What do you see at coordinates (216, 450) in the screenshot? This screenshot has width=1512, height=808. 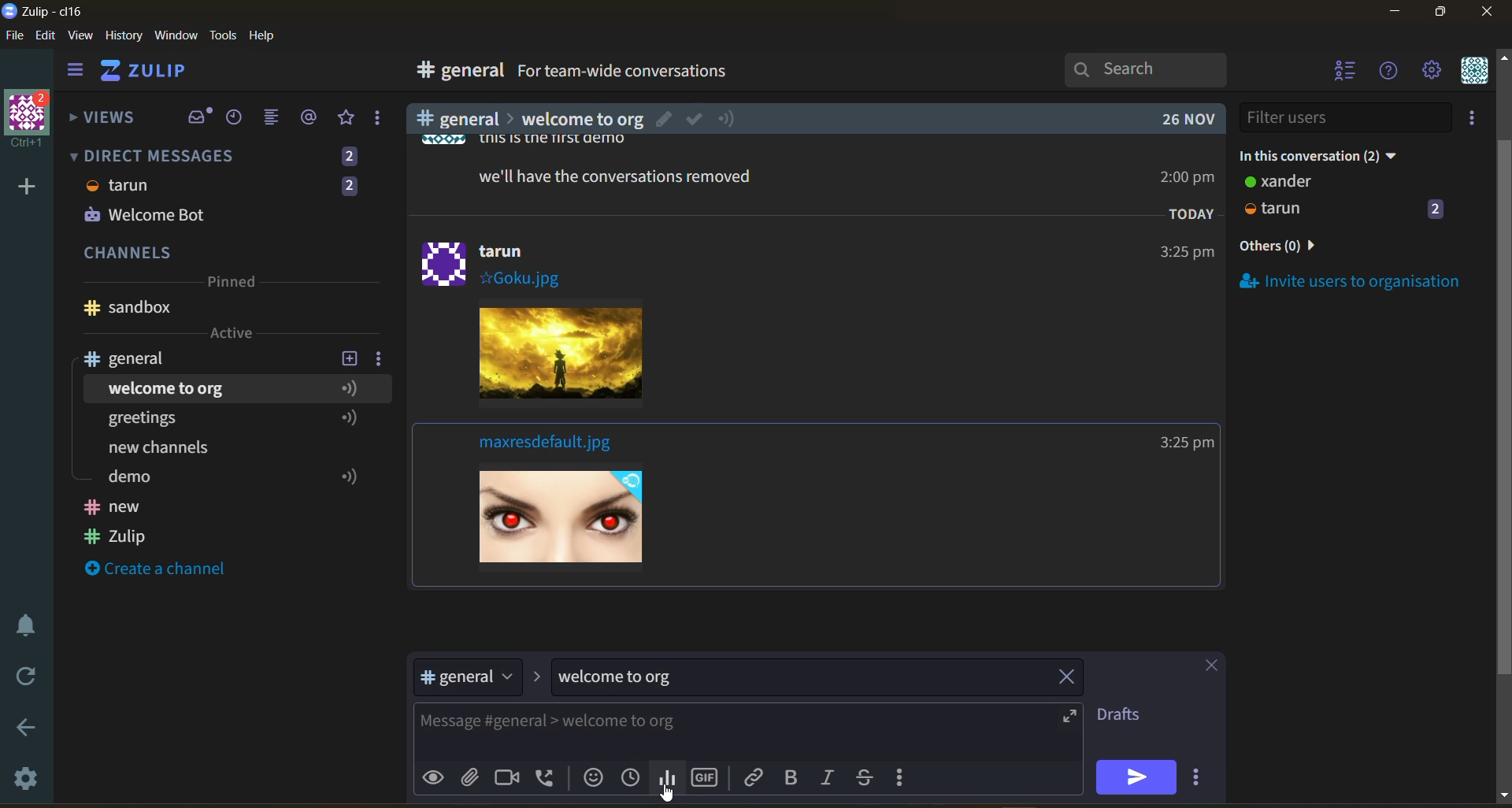 I see `` at bounding box center [216, 450].